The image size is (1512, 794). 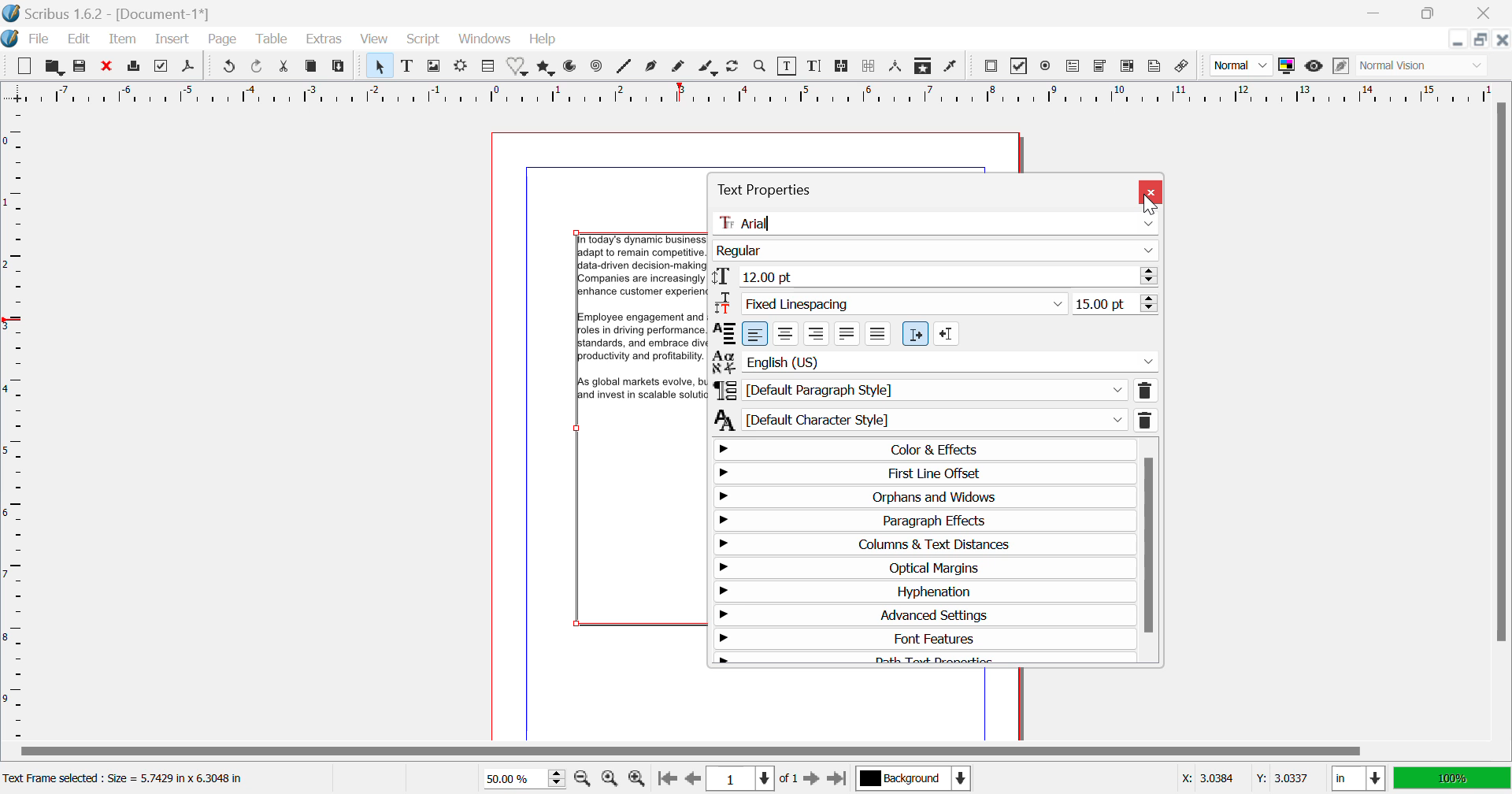 What do you see at coordinates (921, 637) in the screenshot?
I see `Font Features` at bounding box center [921, 637].